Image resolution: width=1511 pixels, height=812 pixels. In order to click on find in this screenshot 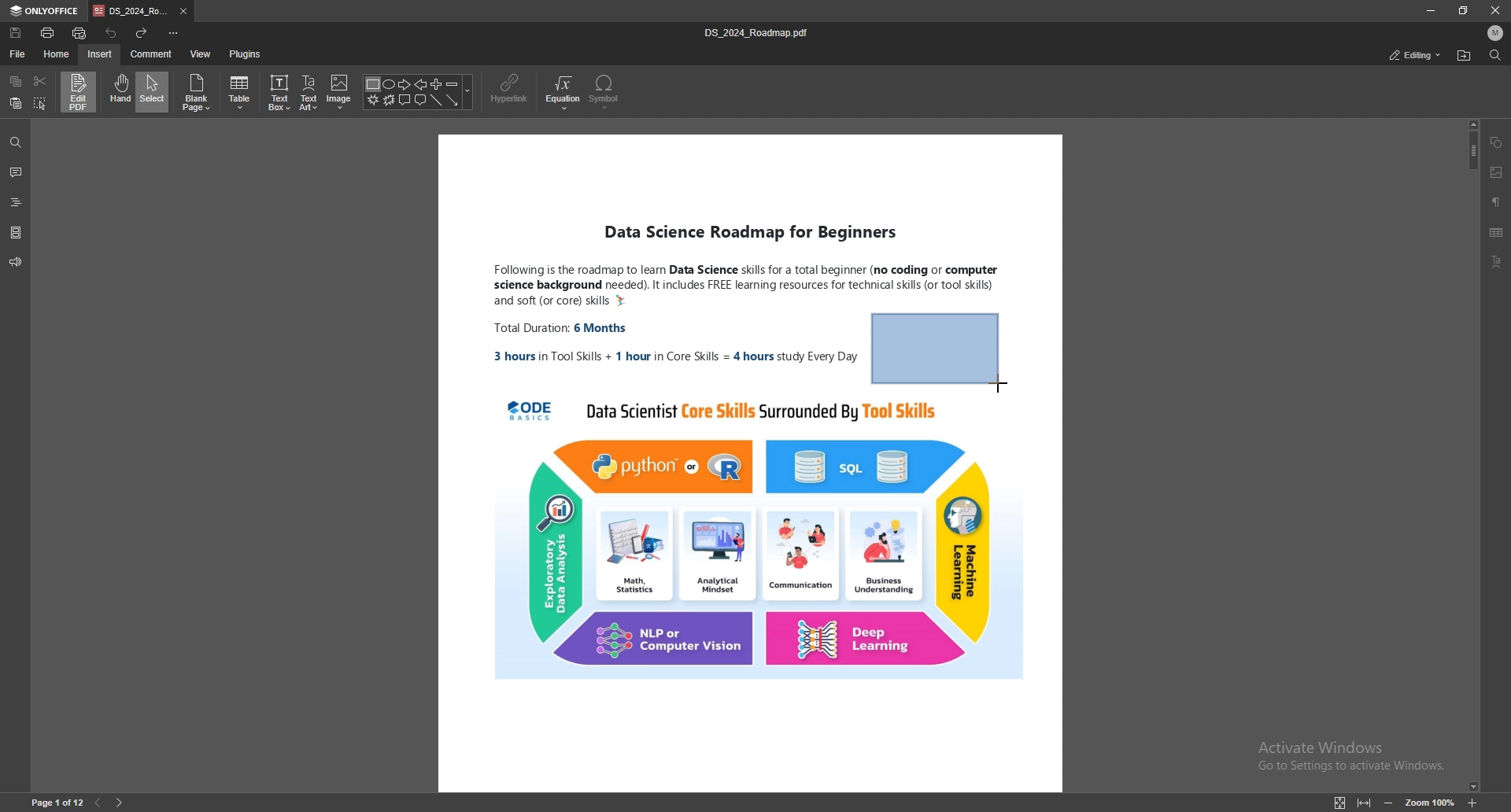, I will do `click(1494, 55)`.